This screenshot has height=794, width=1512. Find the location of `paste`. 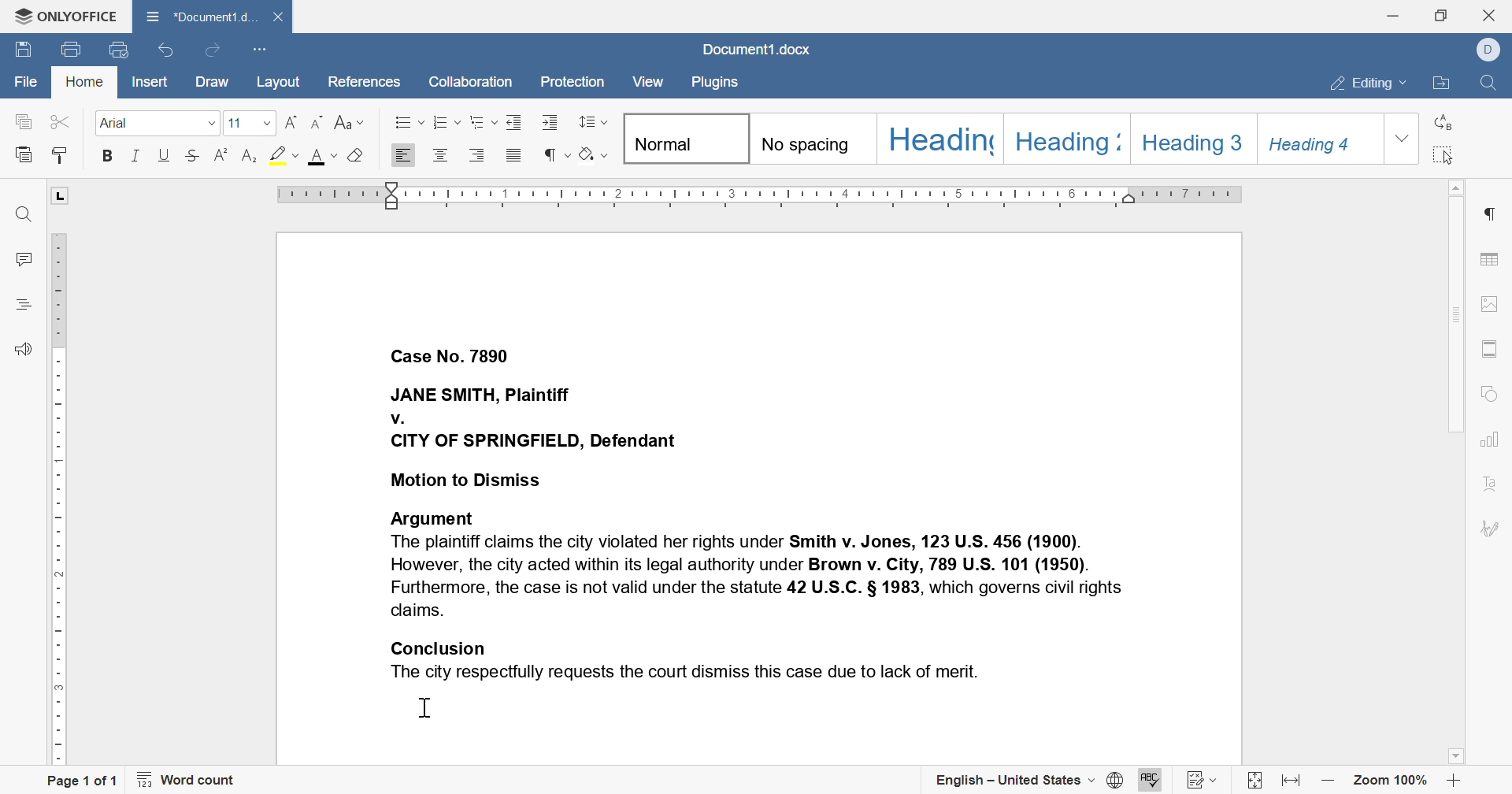

paste is located at coordinates (26, 154).